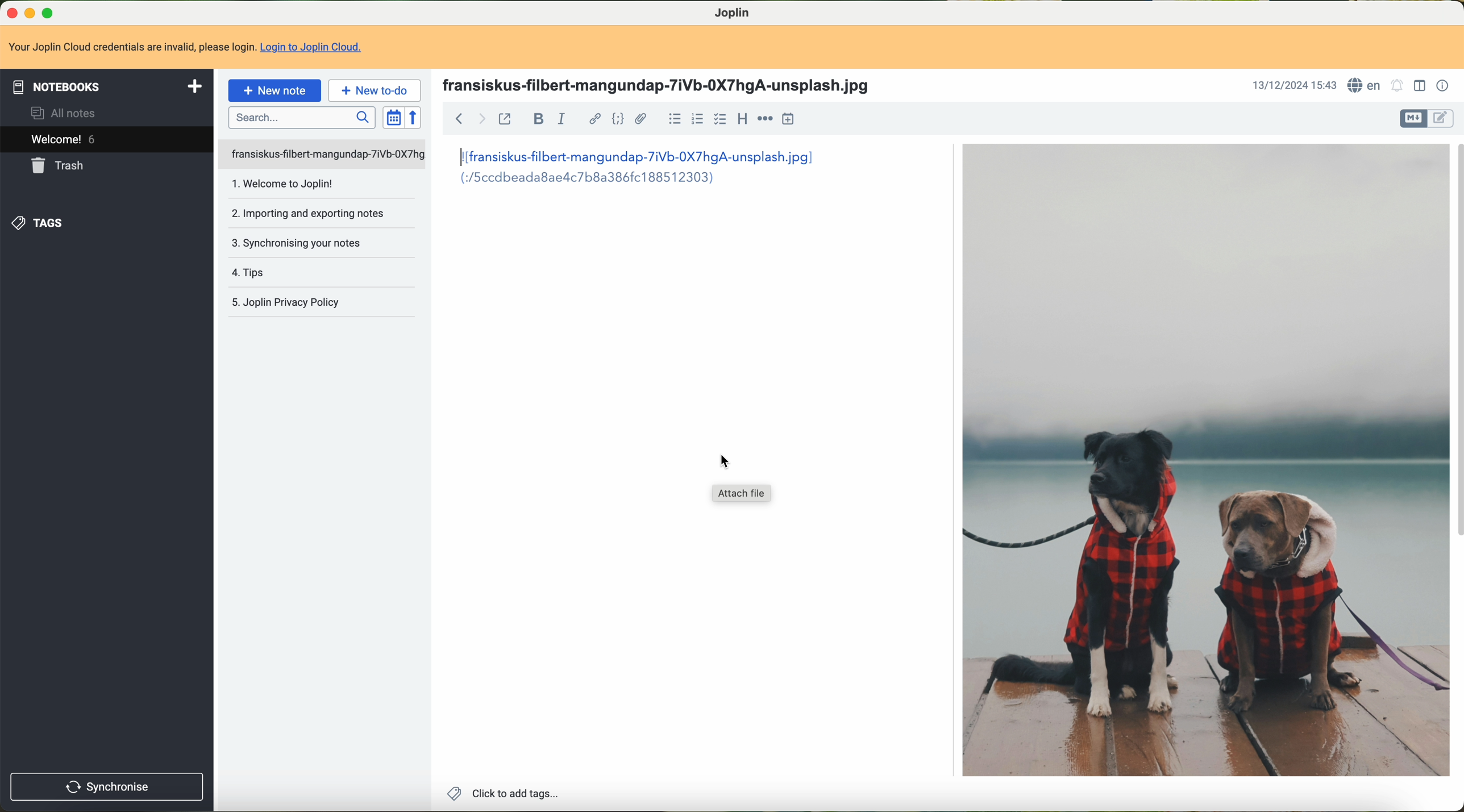 This screenshot has width=1464, height=812. What do you see at coordinates (107, 140) in the screenshot?
I see `welcome` at bounding box center [107, 140].